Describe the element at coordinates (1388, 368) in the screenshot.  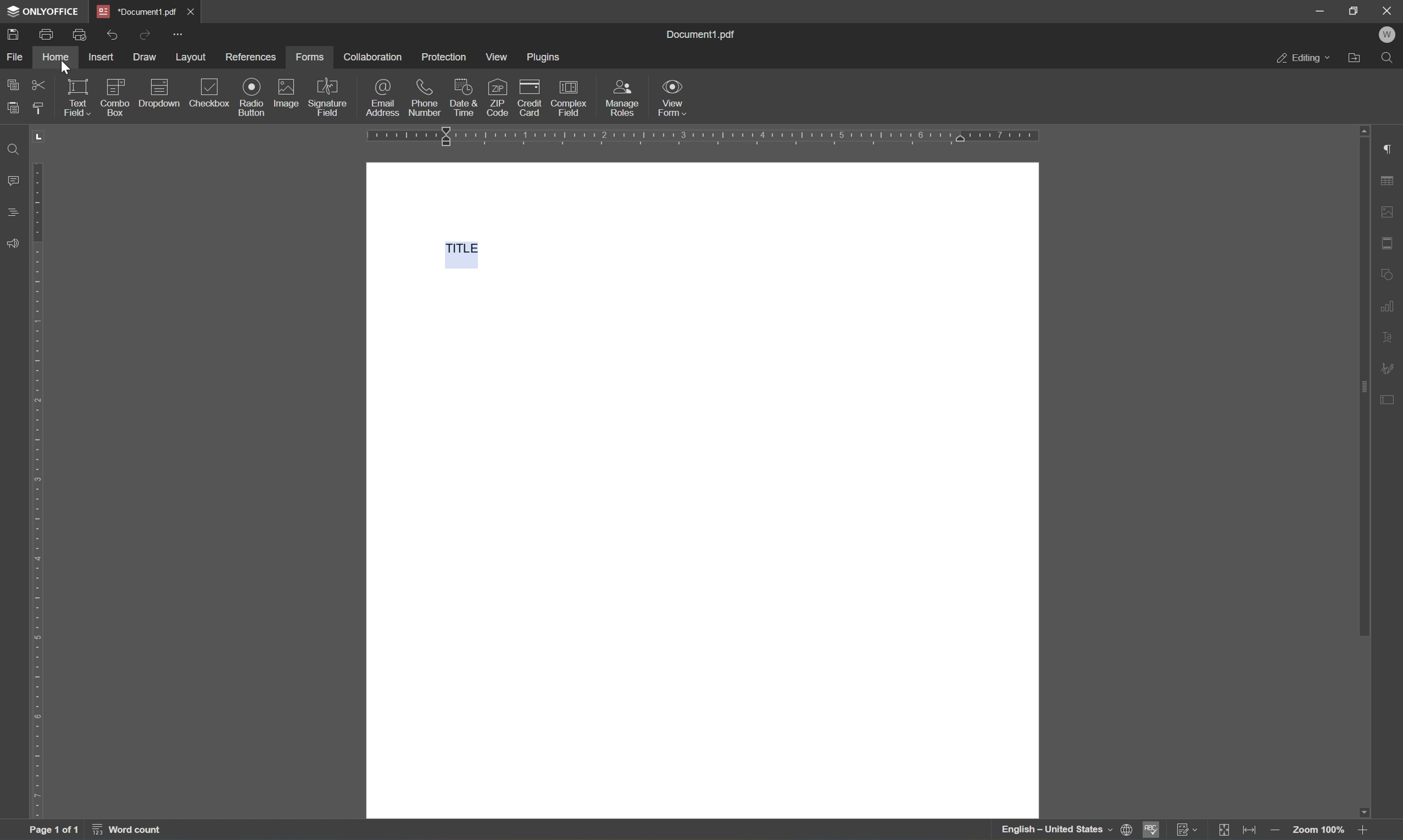
I see `signature settings` at that location.